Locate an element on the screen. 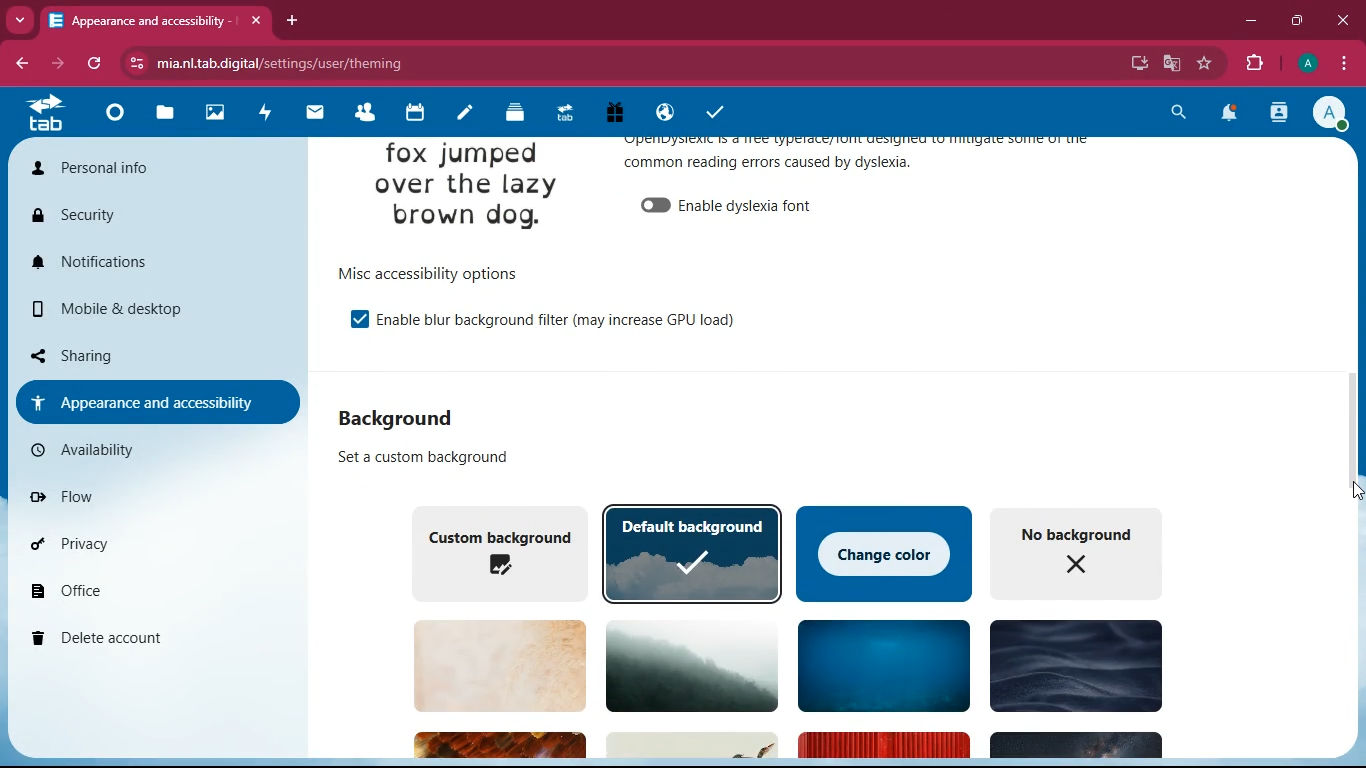 Image resolution: width=1366 pixels, height=768 pixels. security is located at coordinates (153, 218).